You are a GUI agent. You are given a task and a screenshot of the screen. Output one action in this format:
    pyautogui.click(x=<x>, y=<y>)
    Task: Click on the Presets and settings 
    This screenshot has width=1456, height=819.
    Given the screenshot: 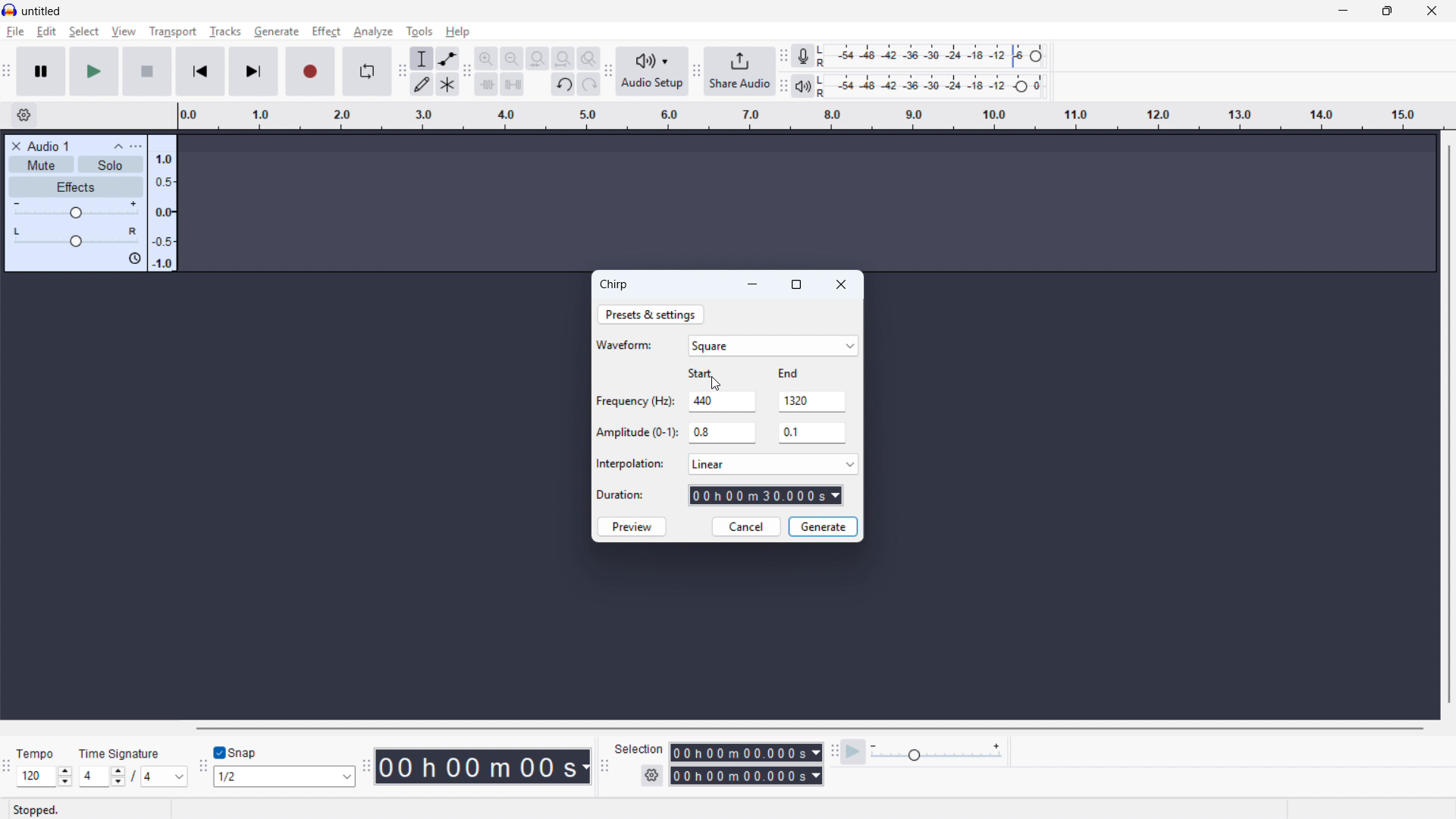 What is the action you would take?
    pyautogui.click(x=651, y=315)
    